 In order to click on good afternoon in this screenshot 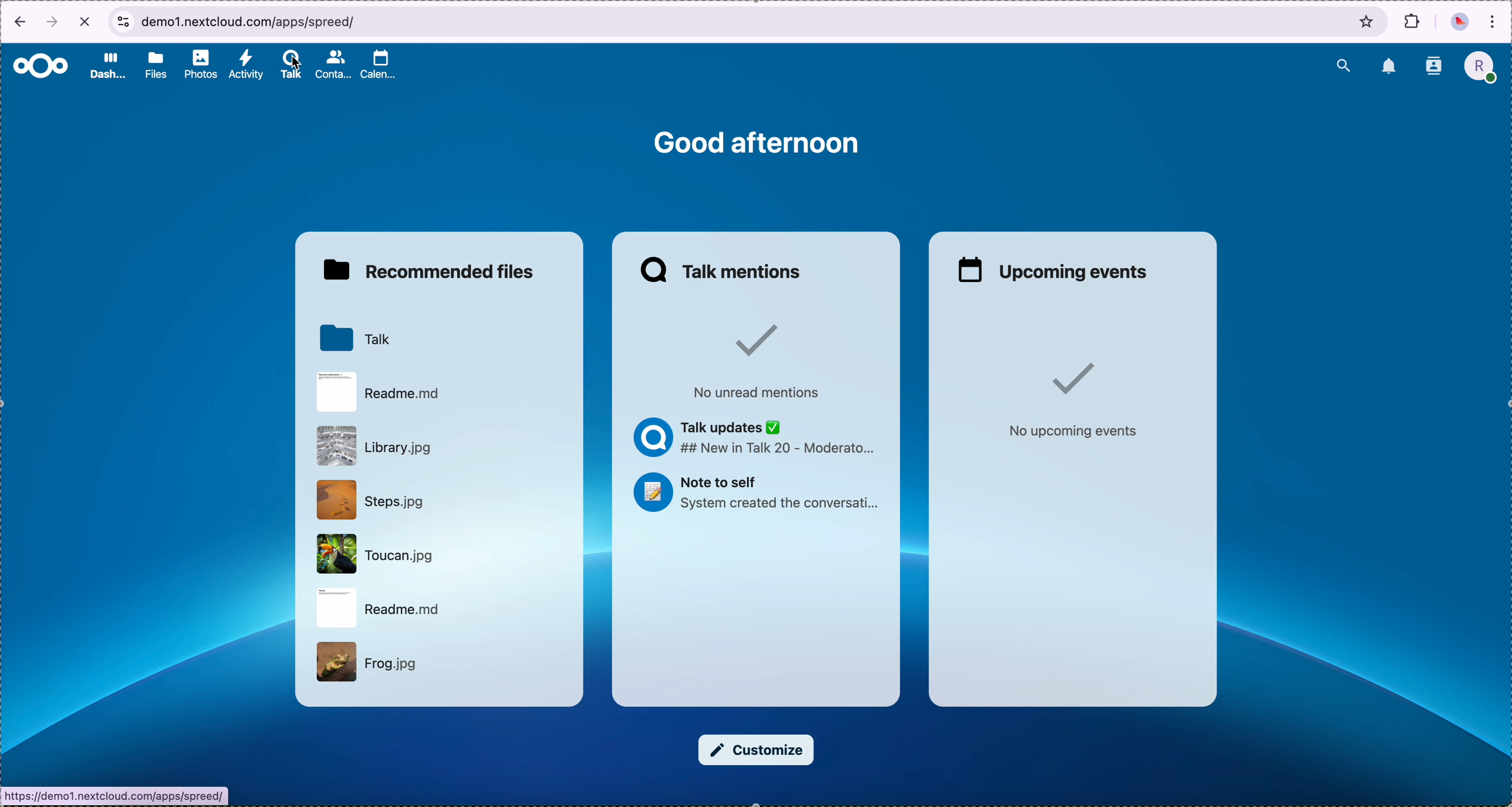, I will do `click(757, 143)`.